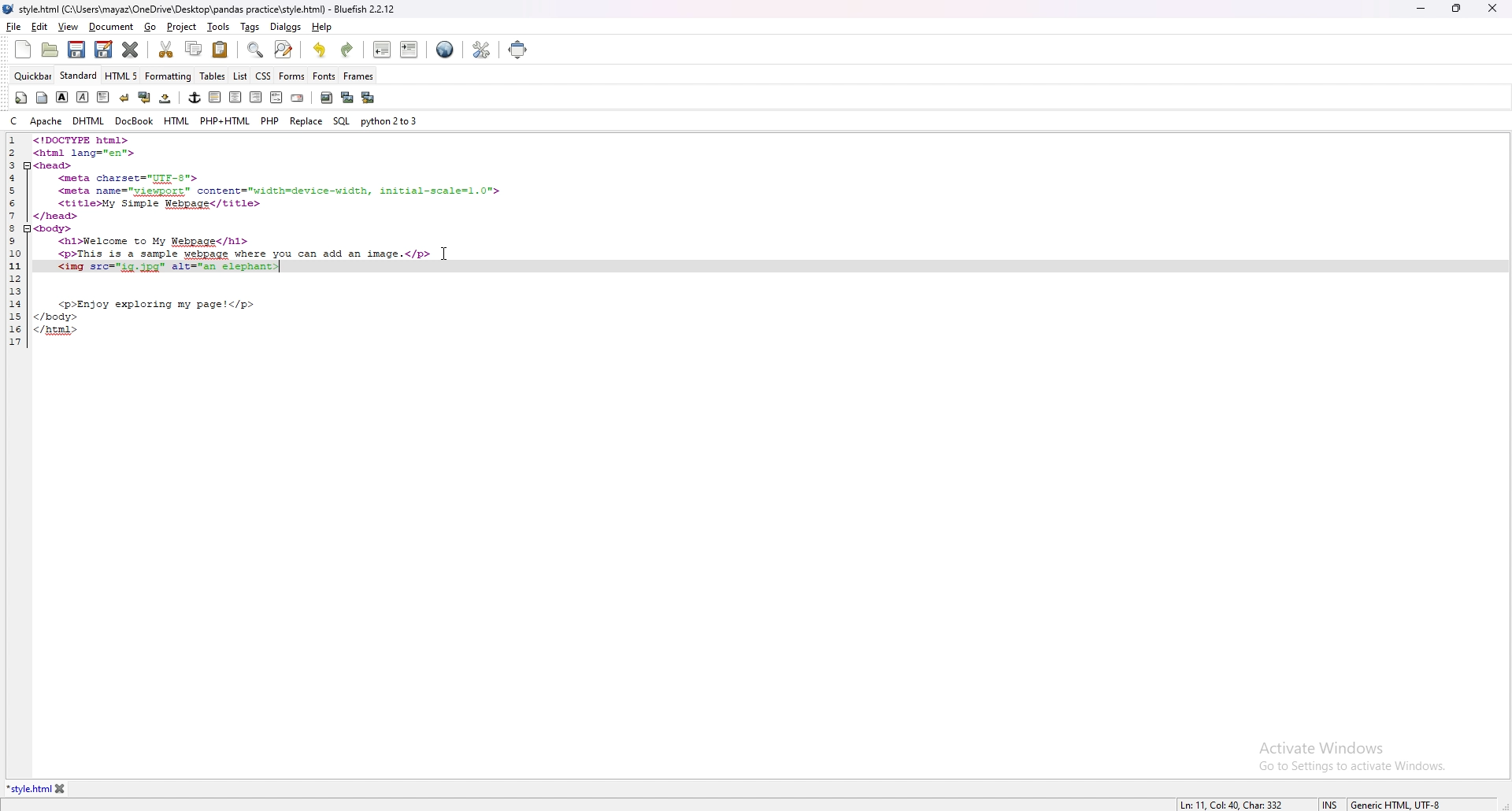 This screenshot has width=1512, height=811. I want to click on go, so click(151, 27).